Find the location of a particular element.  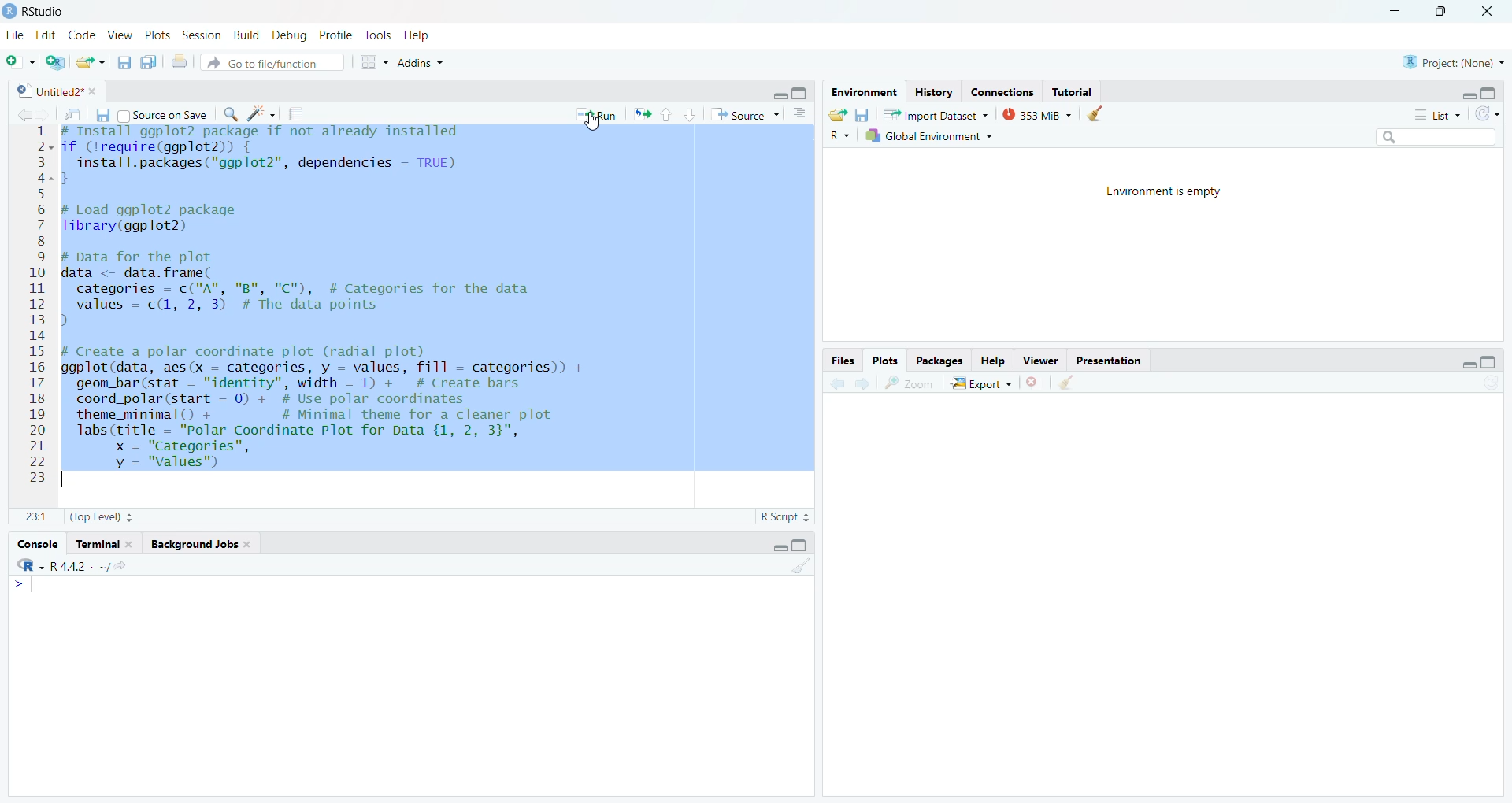

hide r script is located at coordinates (773, 548).